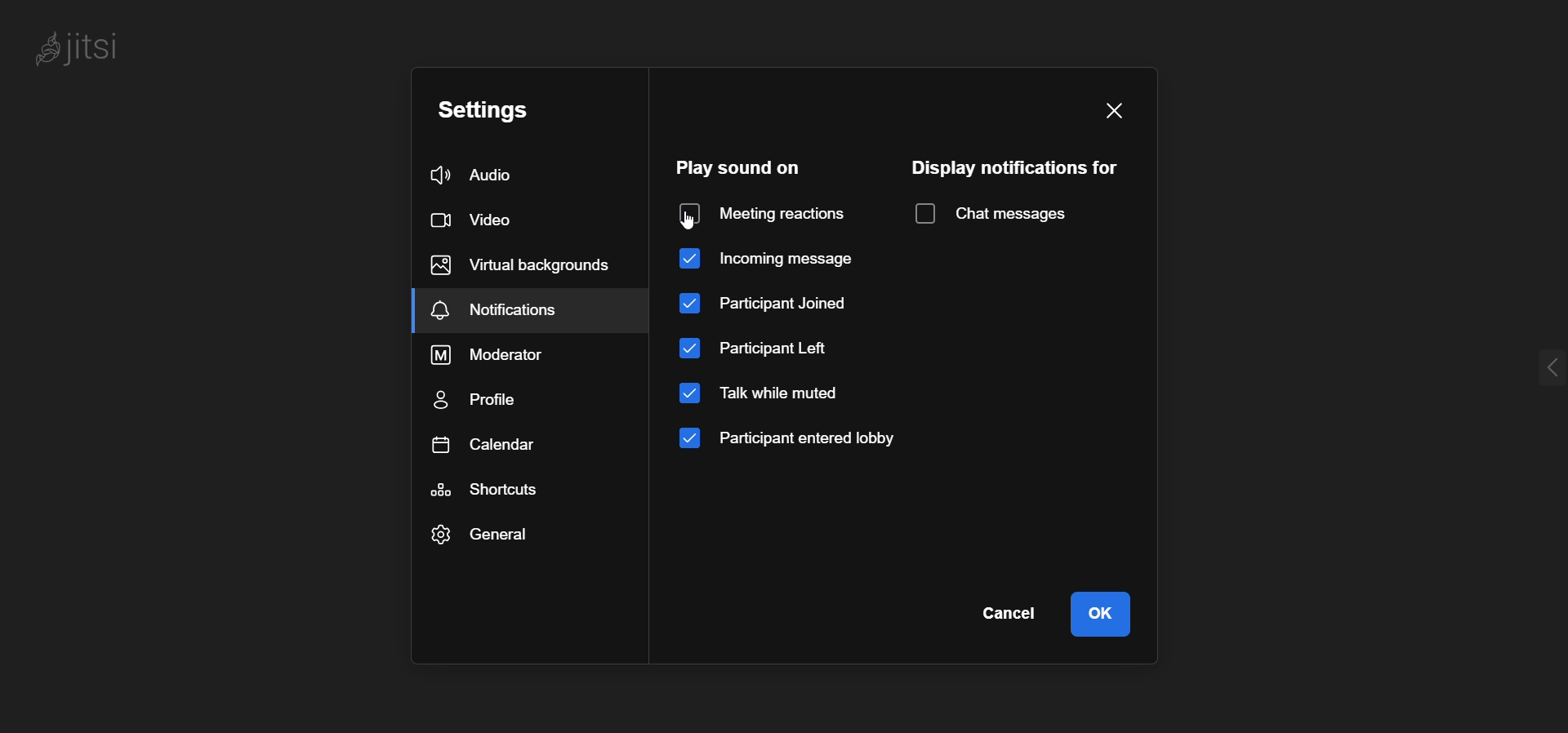  I want to click on disabled meeting reaction sound, so click(768, 212).